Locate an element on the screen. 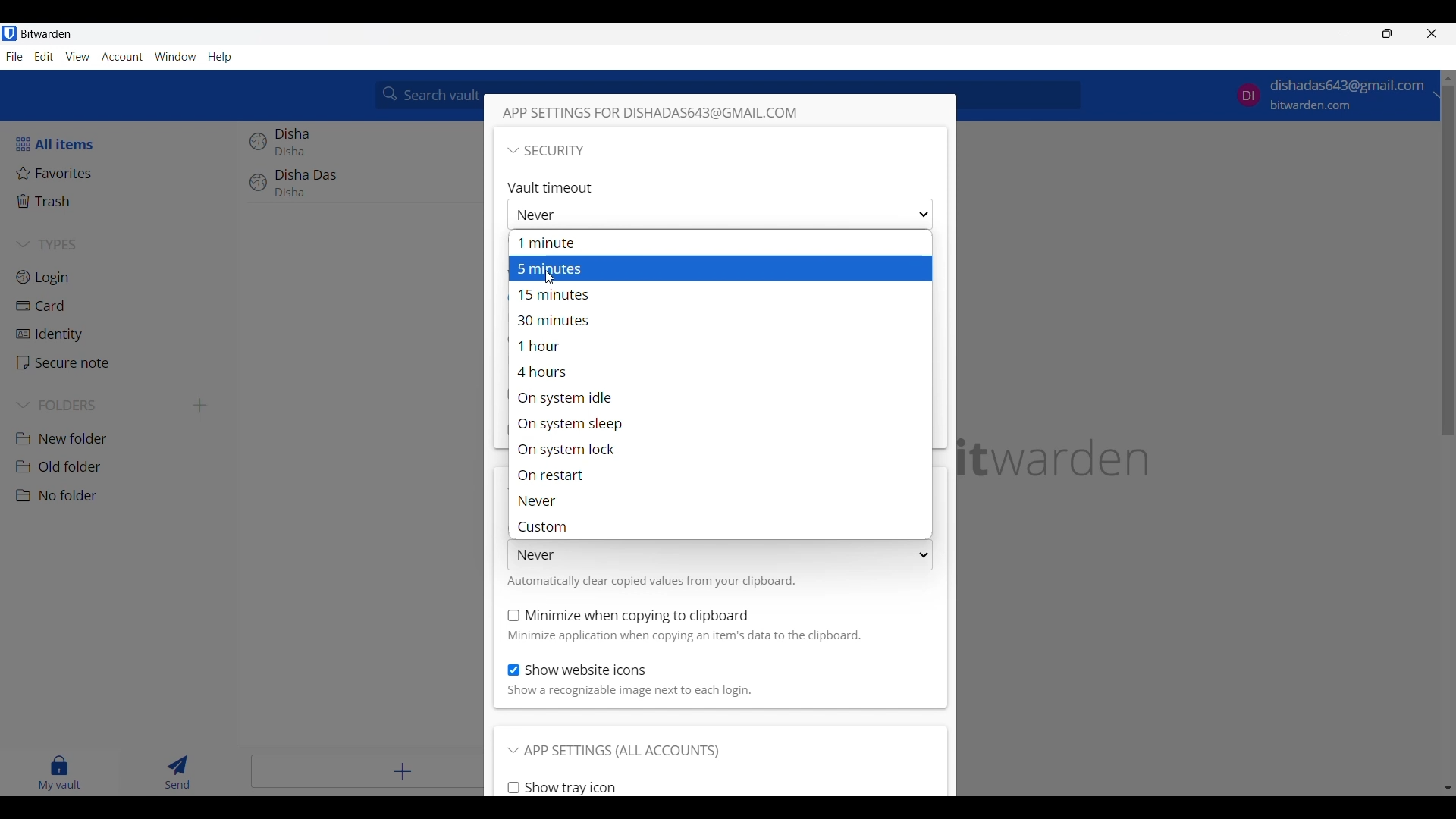 This screenshot has height=819, width=1456. Description of above toggle is located at coordinates (629, 692).